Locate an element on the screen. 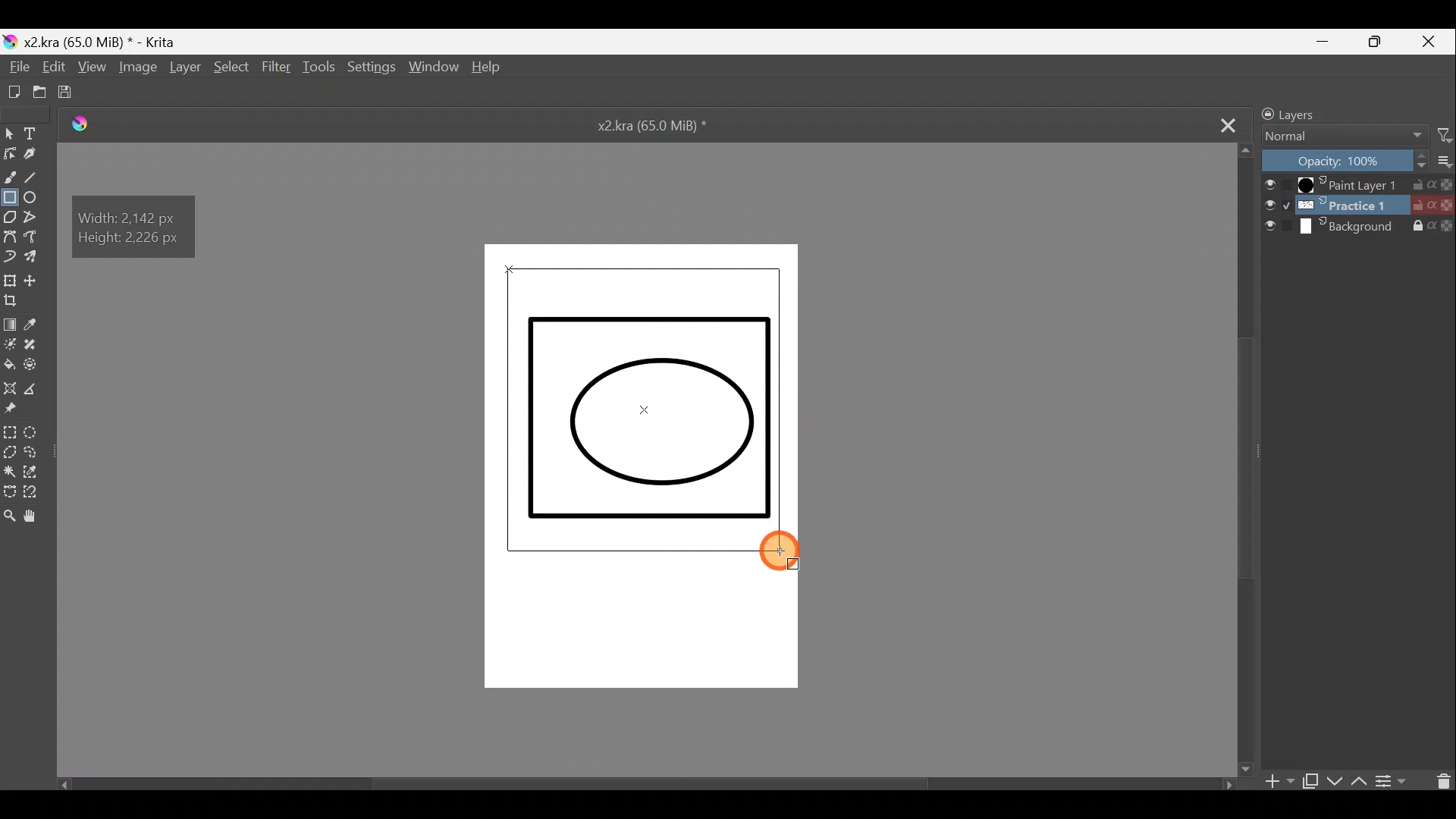  Move layer/mask down is located at coordinates (1335, 783).